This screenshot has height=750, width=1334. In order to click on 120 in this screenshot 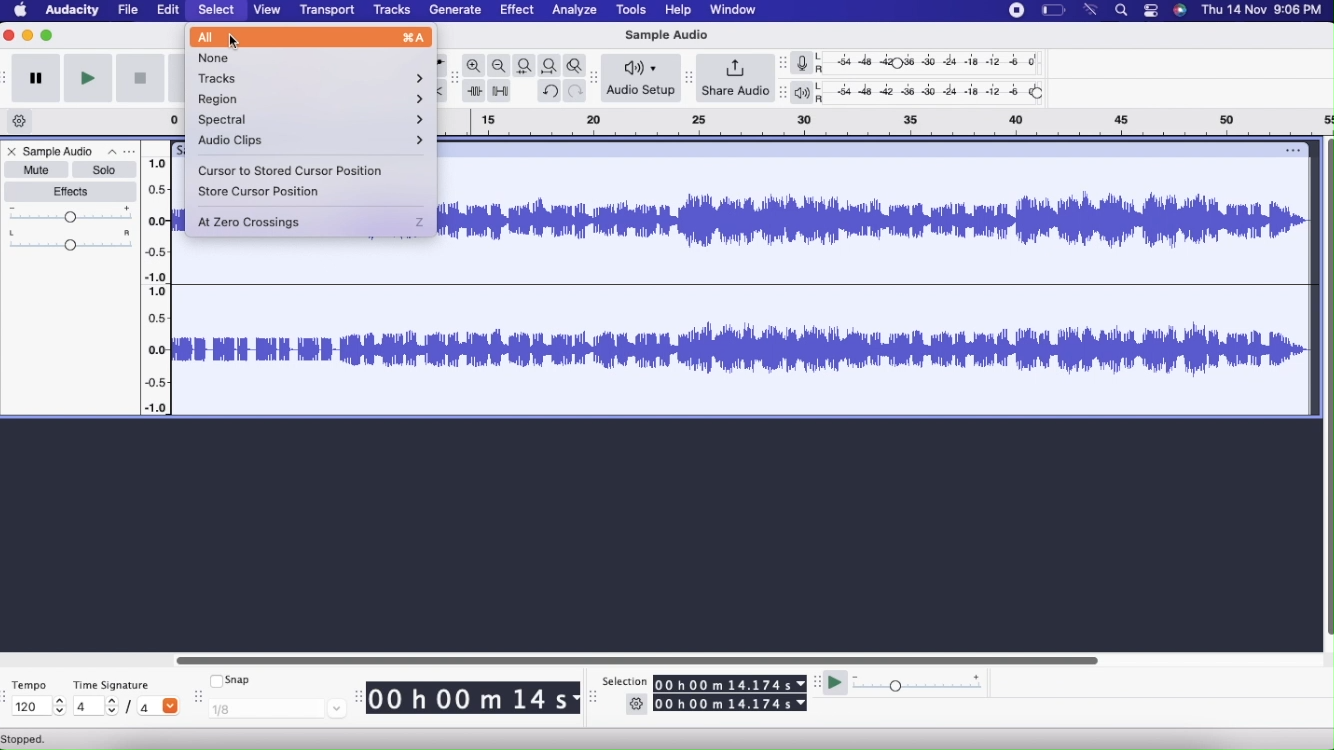, I will do `click(40, 706)`.